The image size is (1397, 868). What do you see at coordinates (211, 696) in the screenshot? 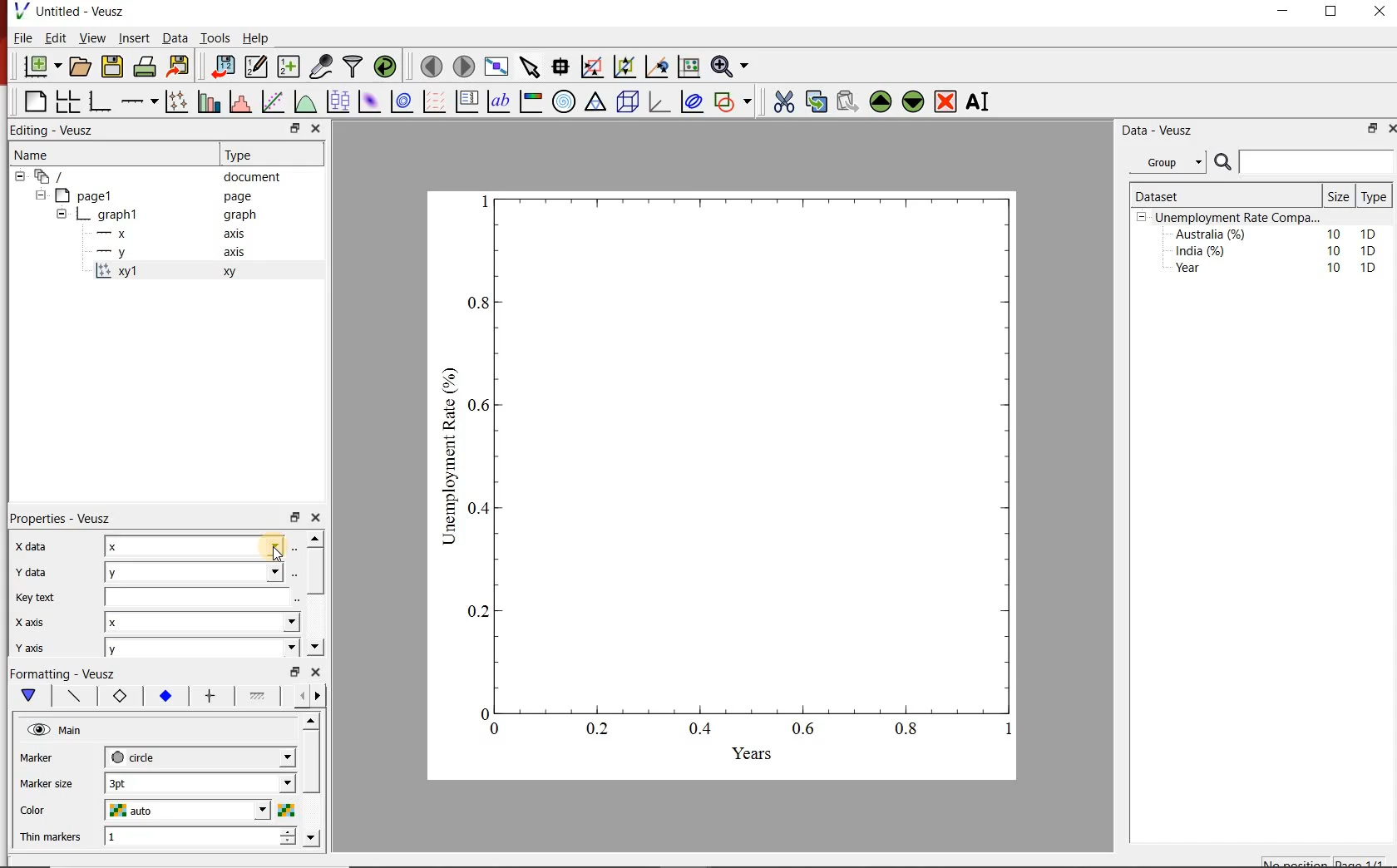
I see `error bar line` at bounding box center [211, 696].